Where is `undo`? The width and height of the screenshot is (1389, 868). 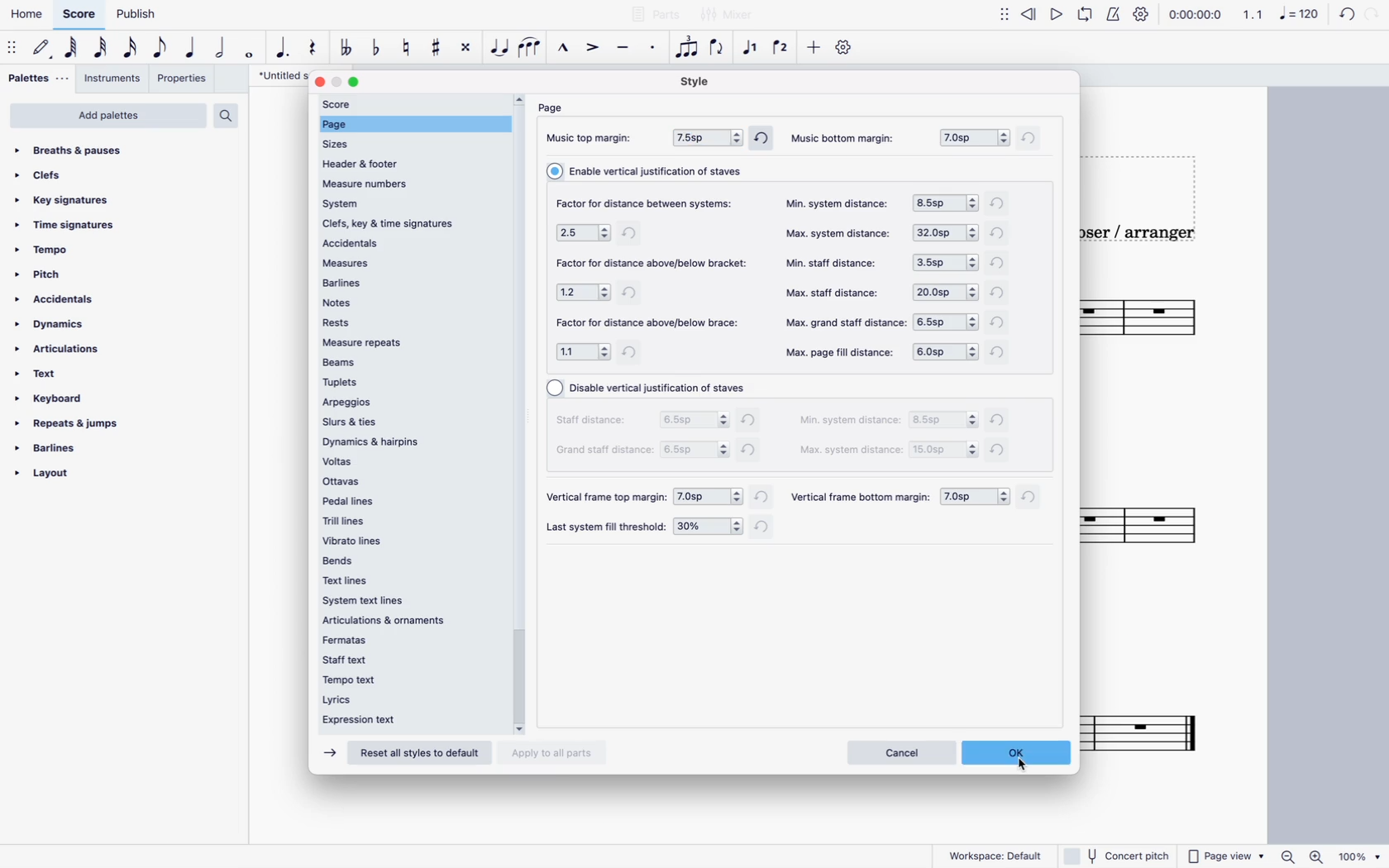
undo is located at coordinates (1347, 17).